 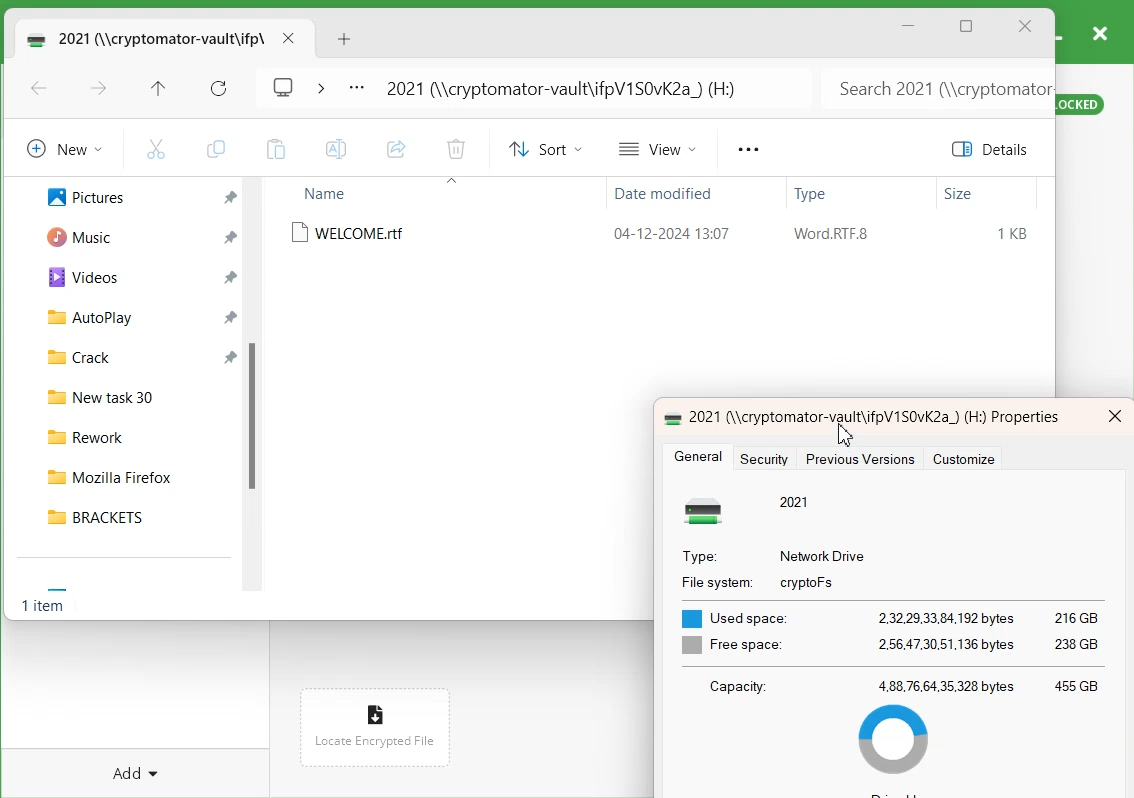 What do you see at coordinates (1099, 32) in the screenshot?
I see `close` at bounding box center [1099, 32].